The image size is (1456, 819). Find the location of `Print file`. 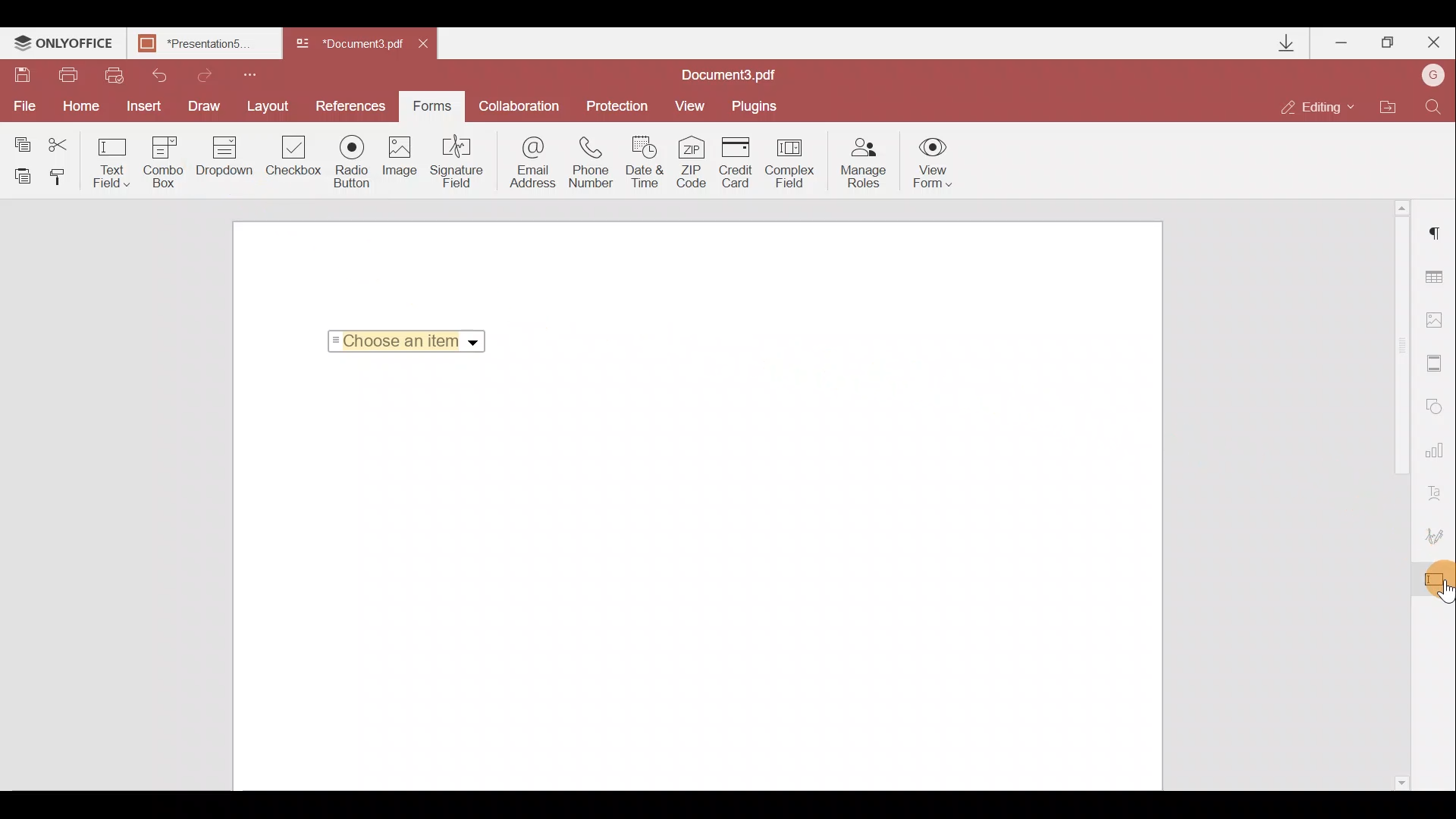

Print file is located at coordinates (73, 75).